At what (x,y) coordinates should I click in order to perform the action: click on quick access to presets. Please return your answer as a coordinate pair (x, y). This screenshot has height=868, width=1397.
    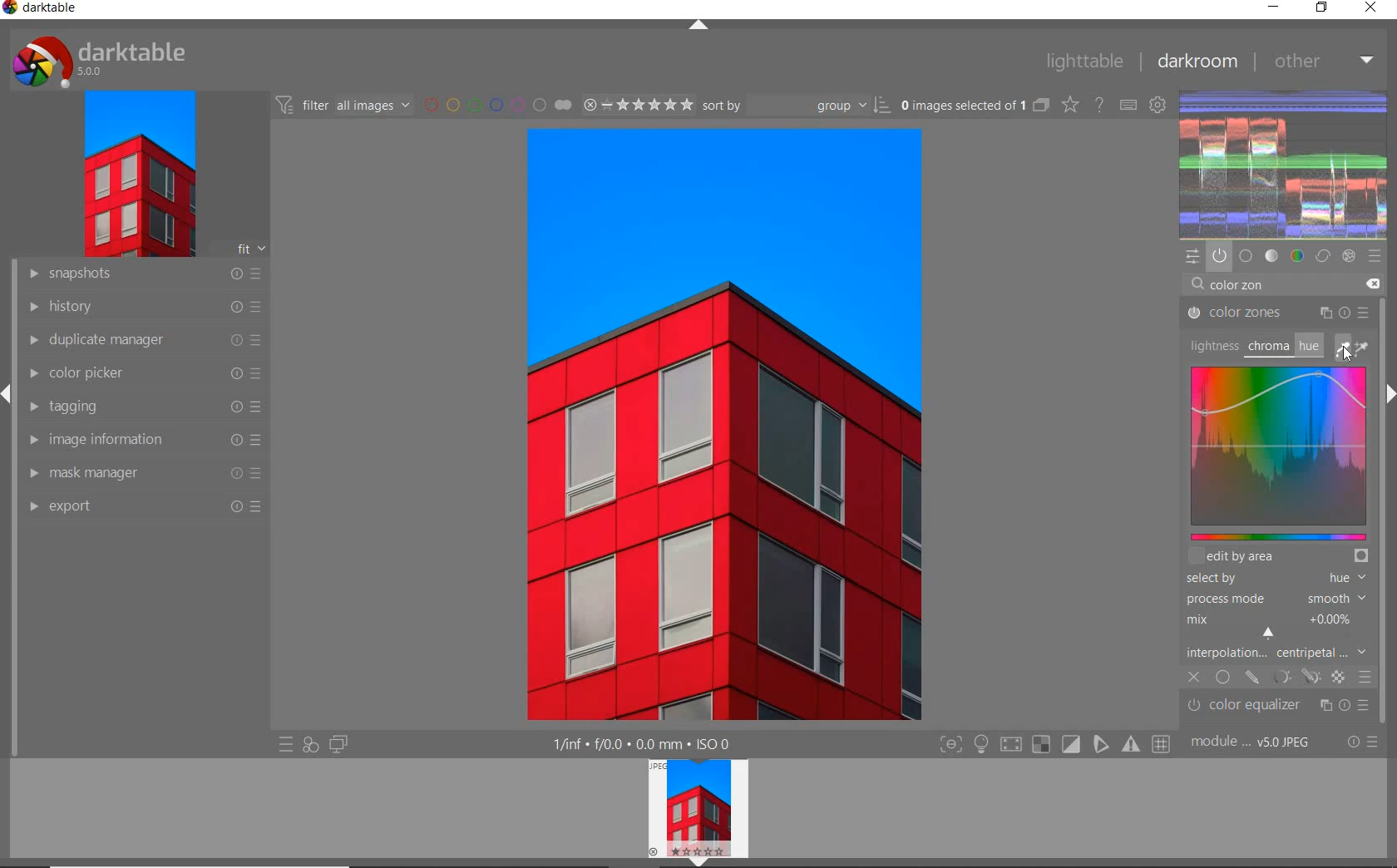
    Looking at the image, I should click on (286, 746).